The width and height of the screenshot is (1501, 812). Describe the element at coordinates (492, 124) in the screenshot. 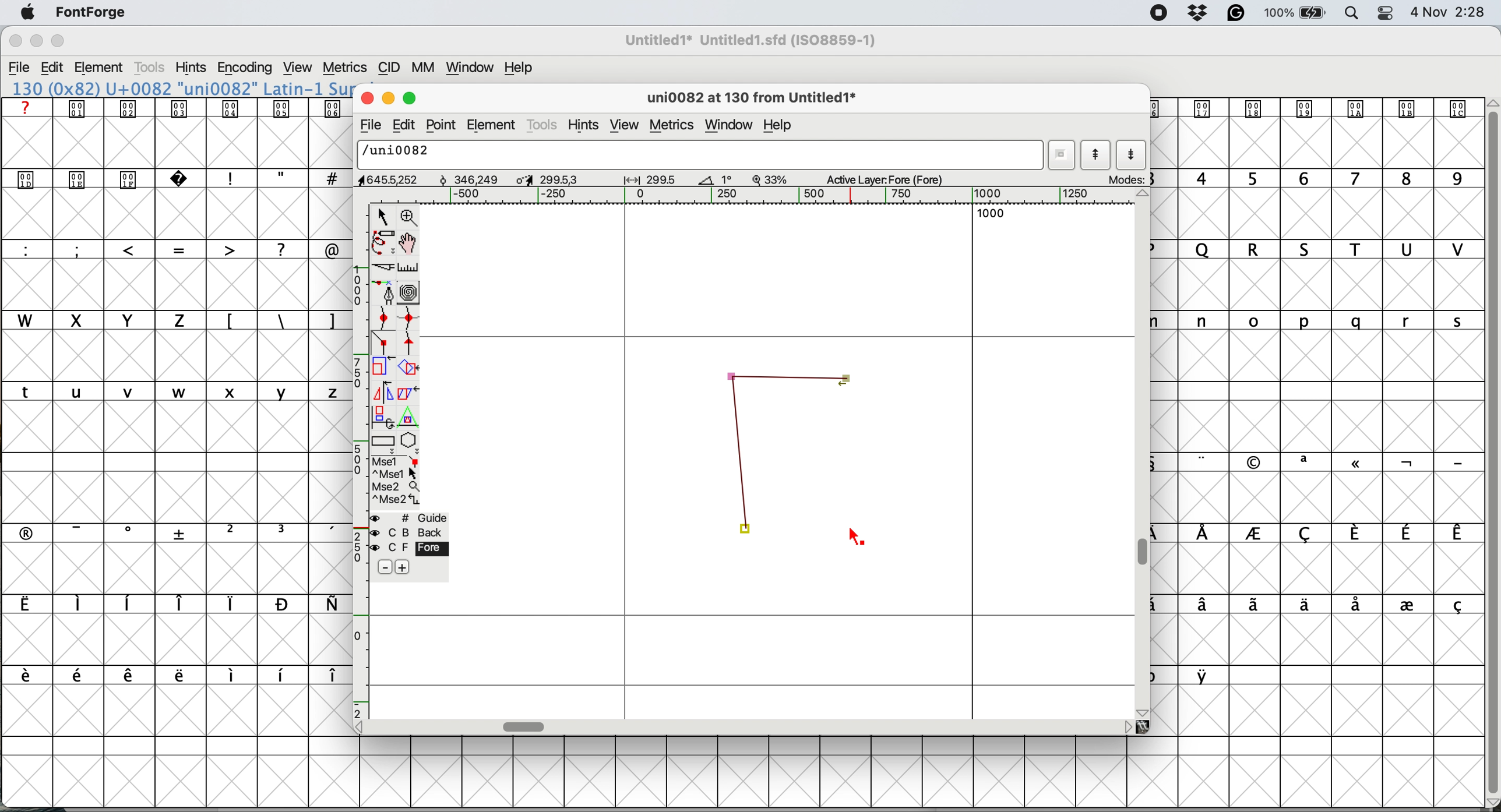

I see `element` at that location.